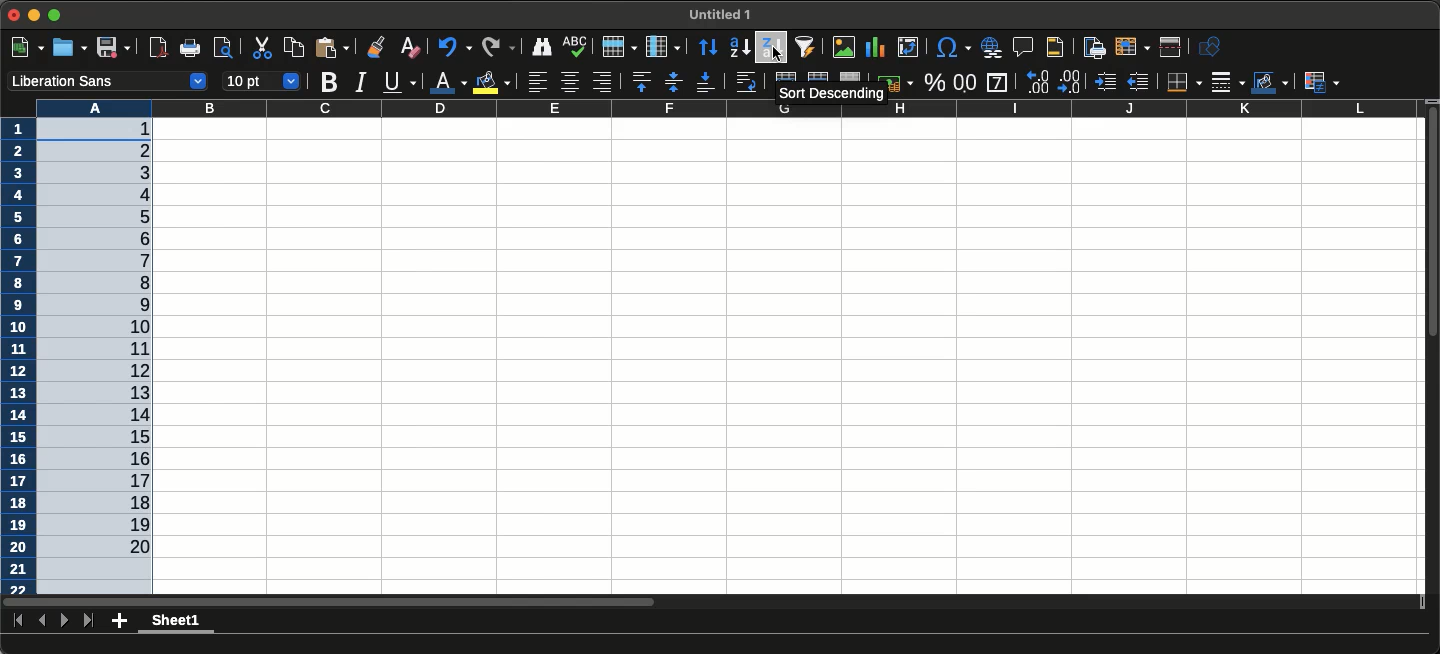 Image resolution: width=1440 pixels, height=654 pixels. I want to click on Find and replace, so click(539, 46).